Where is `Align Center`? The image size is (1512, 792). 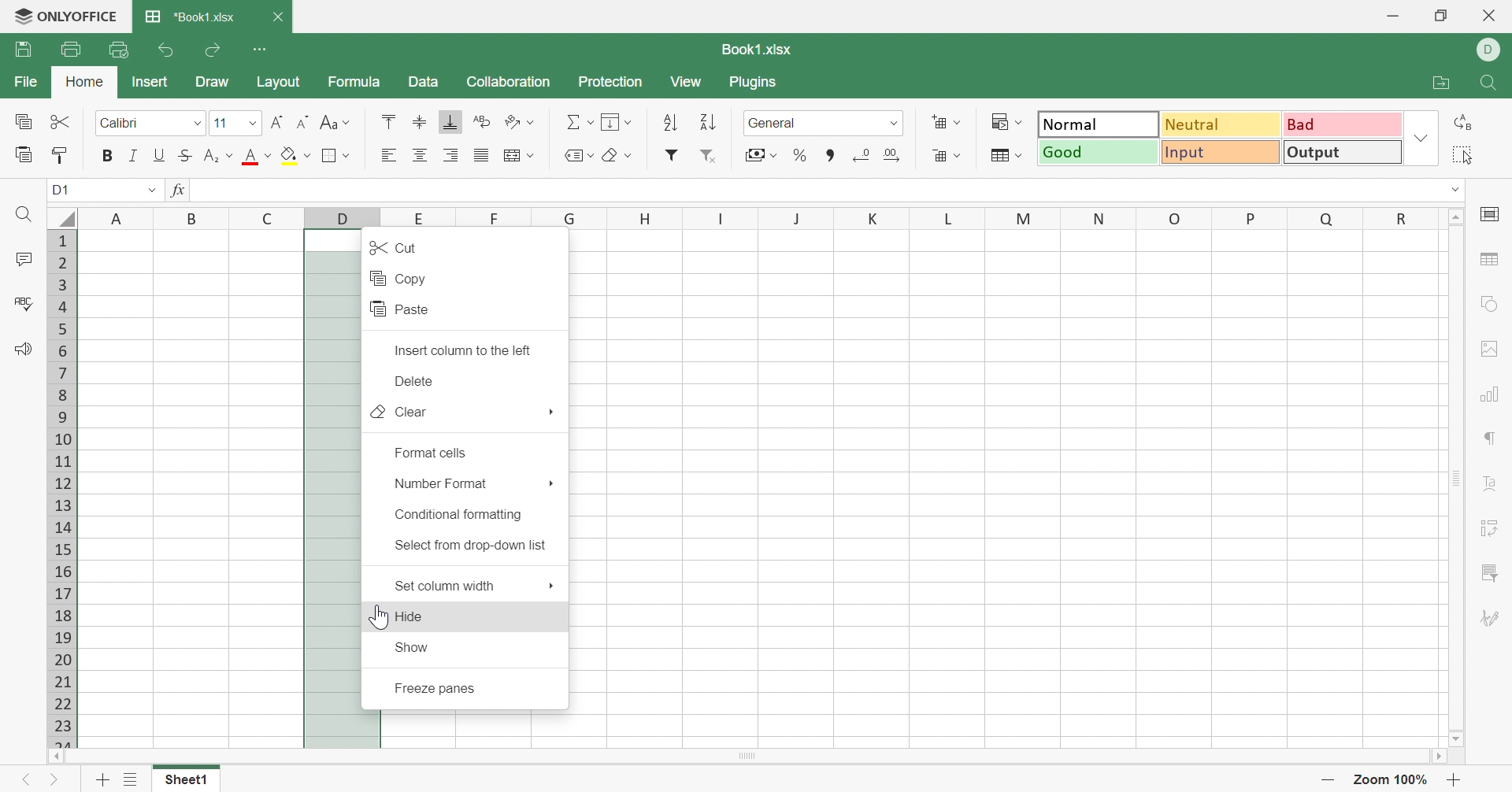 Align Center is located at coordinates (420, 154).